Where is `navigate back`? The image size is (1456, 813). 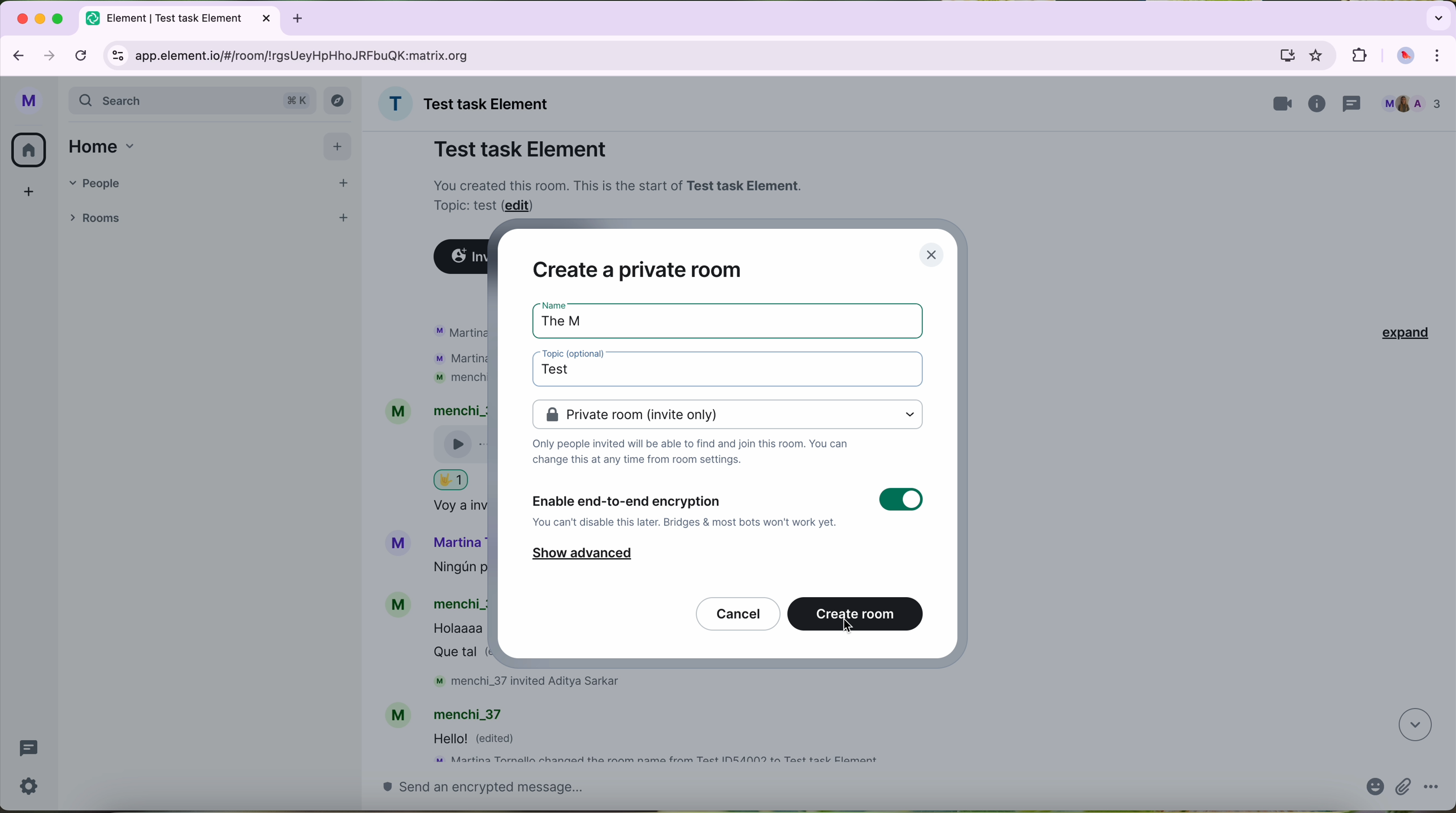
navigate back is located at coordinates (15, 53).